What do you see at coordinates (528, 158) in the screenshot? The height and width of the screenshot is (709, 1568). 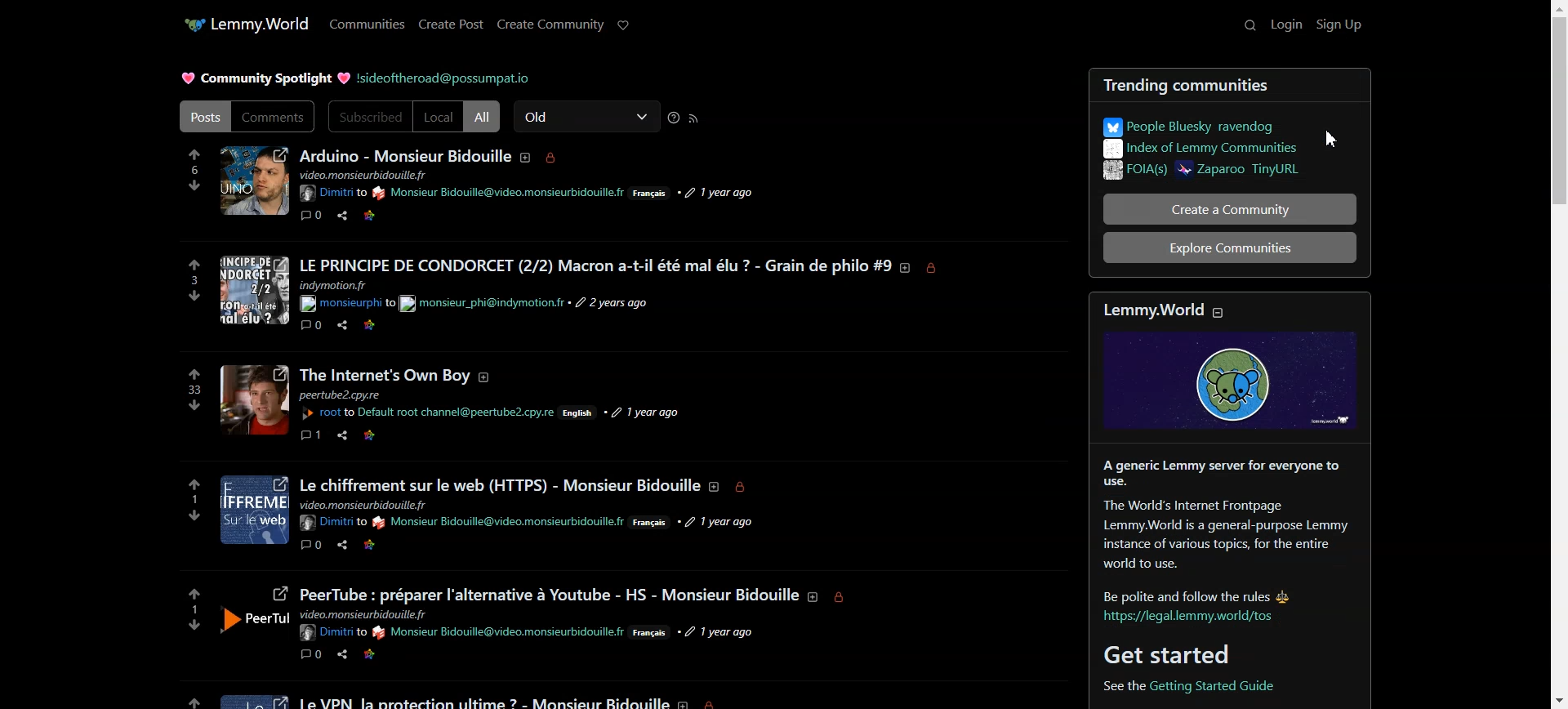 I see `About` at bounding box center [528, 158].